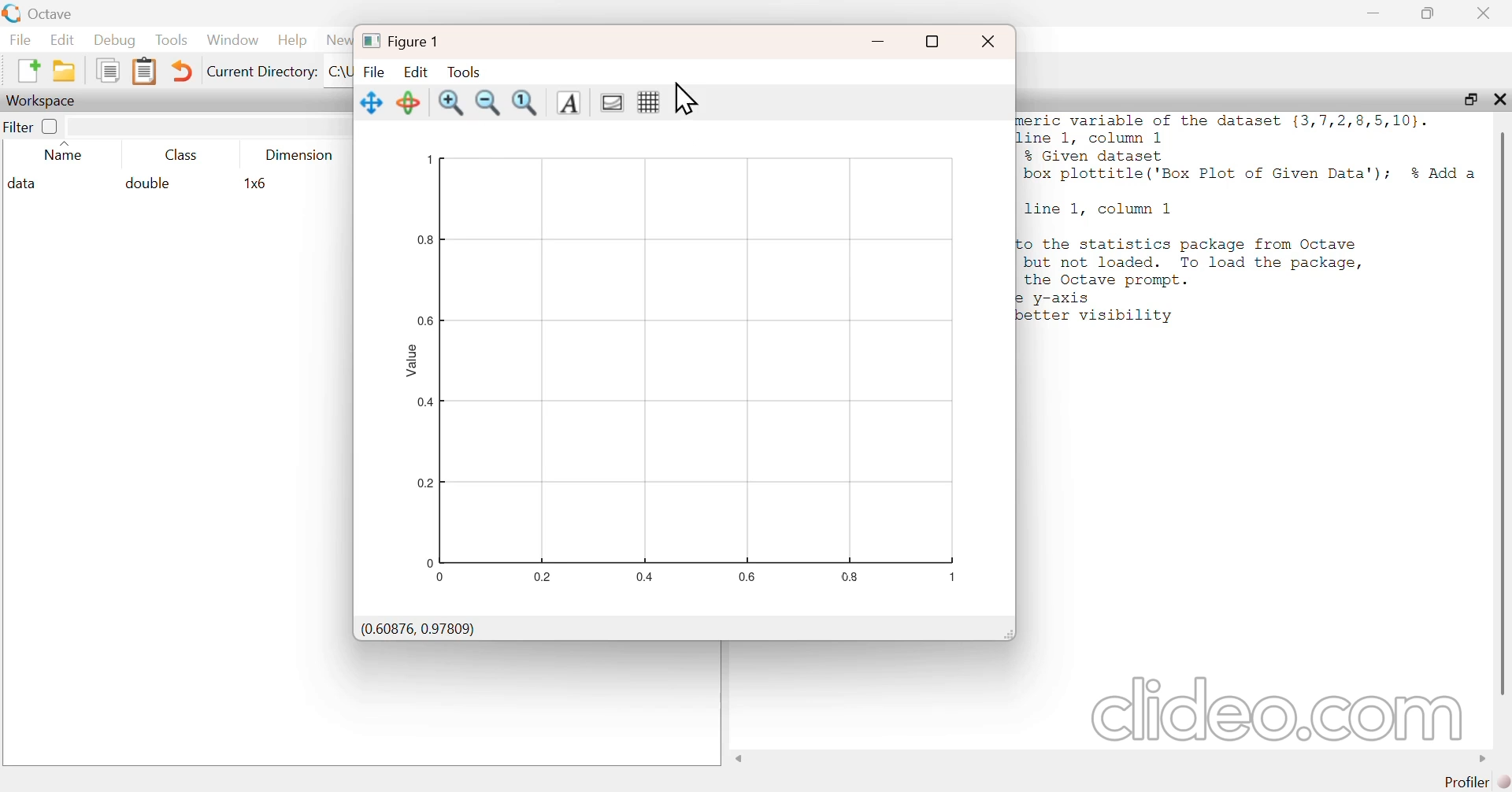 Image resolution: width=1512 pixels, height=792 pixels. I want to click on clideo.com, so click(1269, 709).